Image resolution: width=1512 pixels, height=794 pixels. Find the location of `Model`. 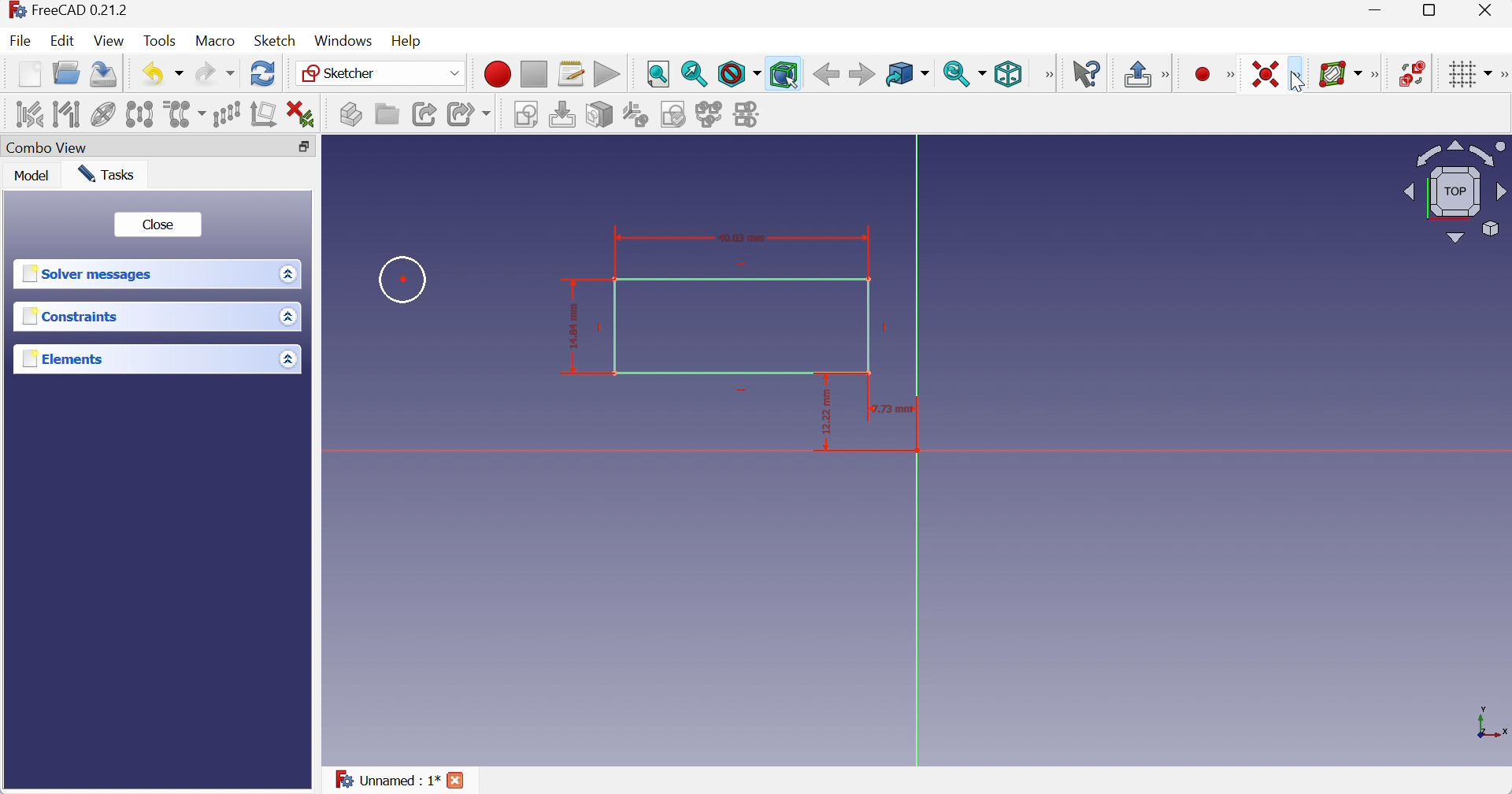

Model is located at coordinates (32, 174).